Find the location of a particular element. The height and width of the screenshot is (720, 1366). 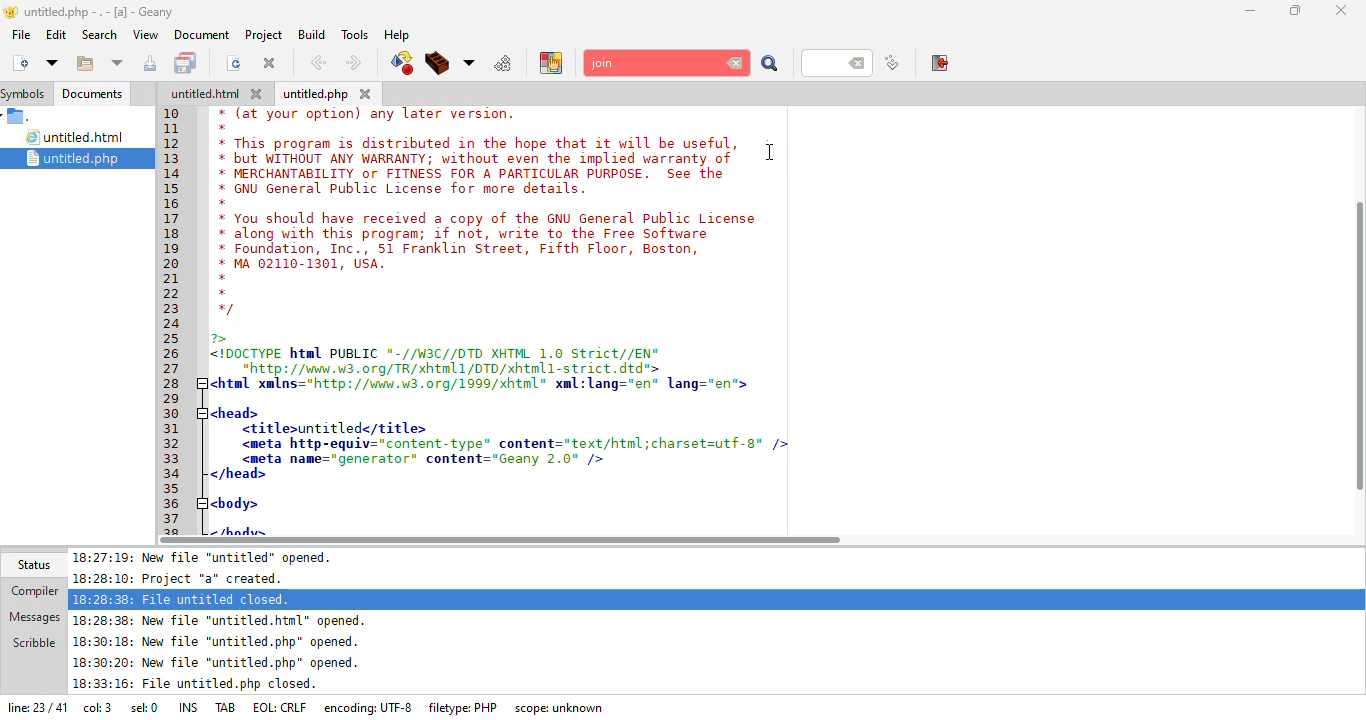

21 is located at coordinates (173, 278).